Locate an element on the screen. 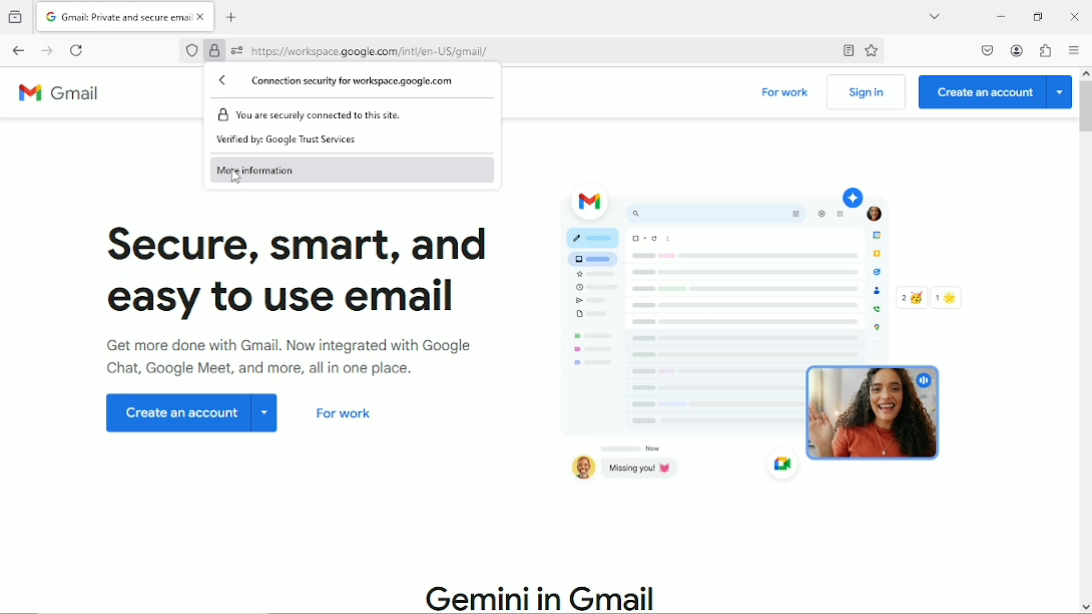  Minimize is located at coordinates (999, 15).